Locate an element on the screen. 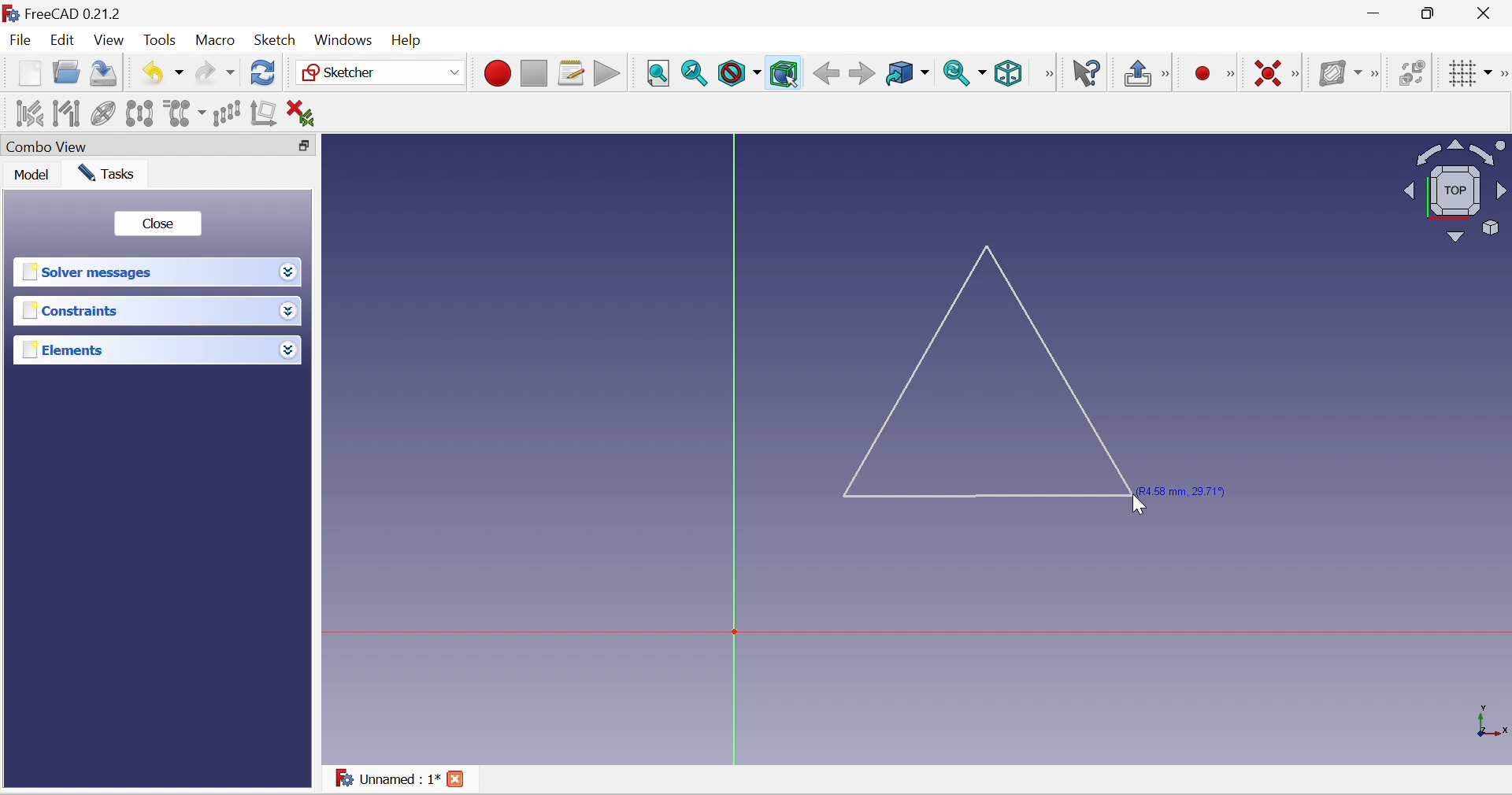  Sketch is located at coordinates (275, 40).